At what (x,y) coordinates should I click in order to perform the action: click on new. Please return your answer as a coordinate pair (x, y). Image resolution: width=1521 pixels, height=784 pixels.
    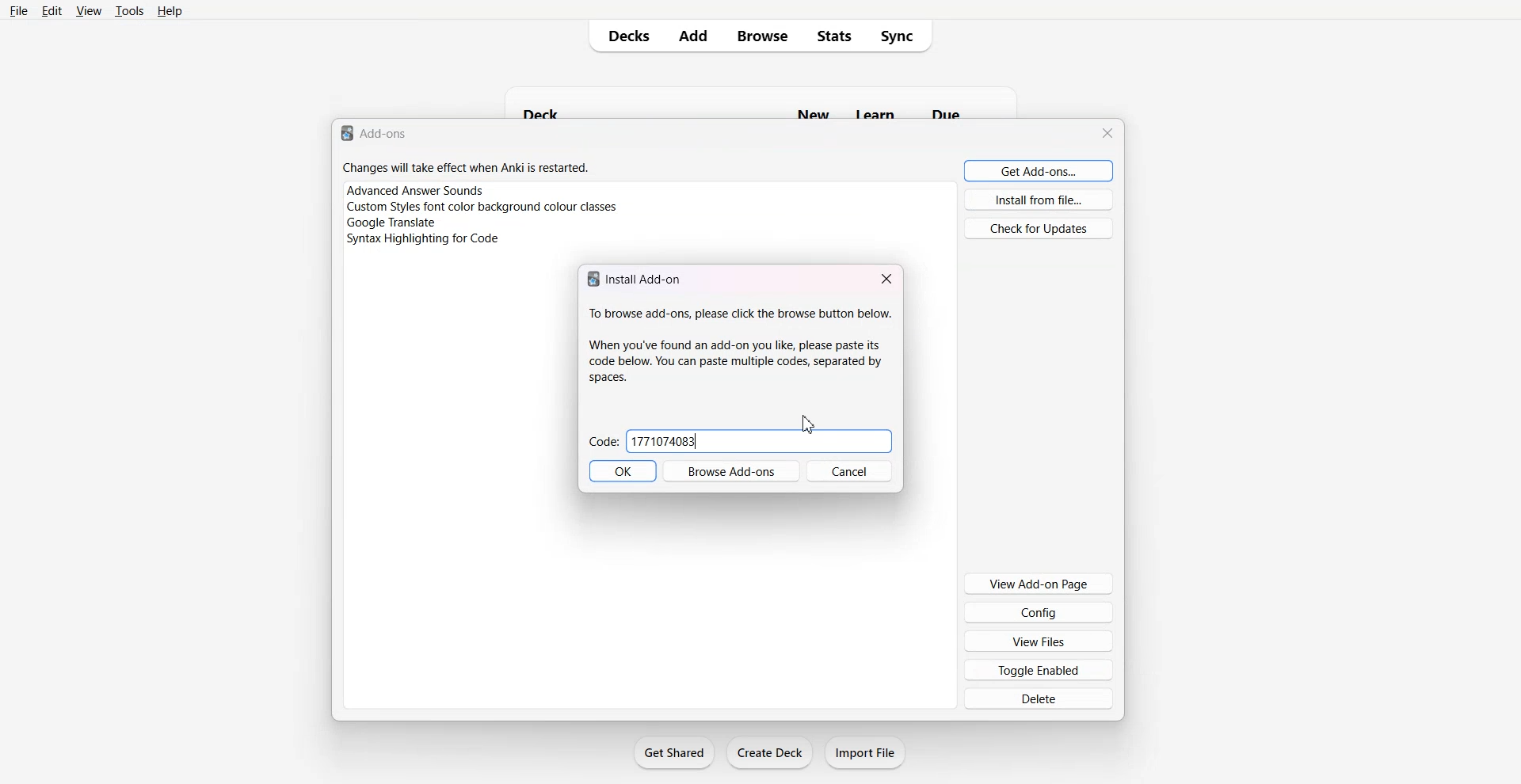
    Looking at the image, I should click on (815, 112).